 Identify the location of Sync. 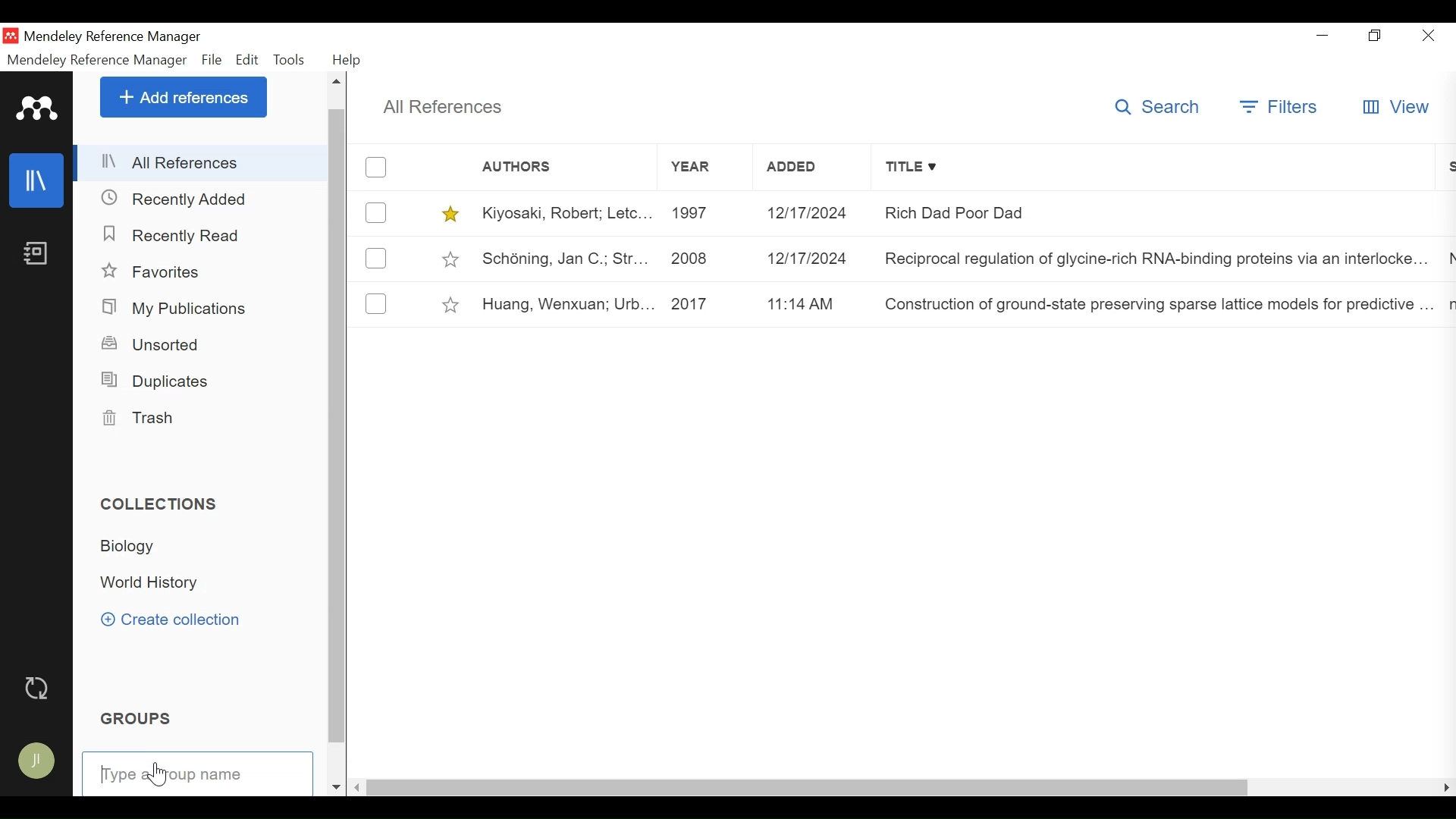
(39, 689).